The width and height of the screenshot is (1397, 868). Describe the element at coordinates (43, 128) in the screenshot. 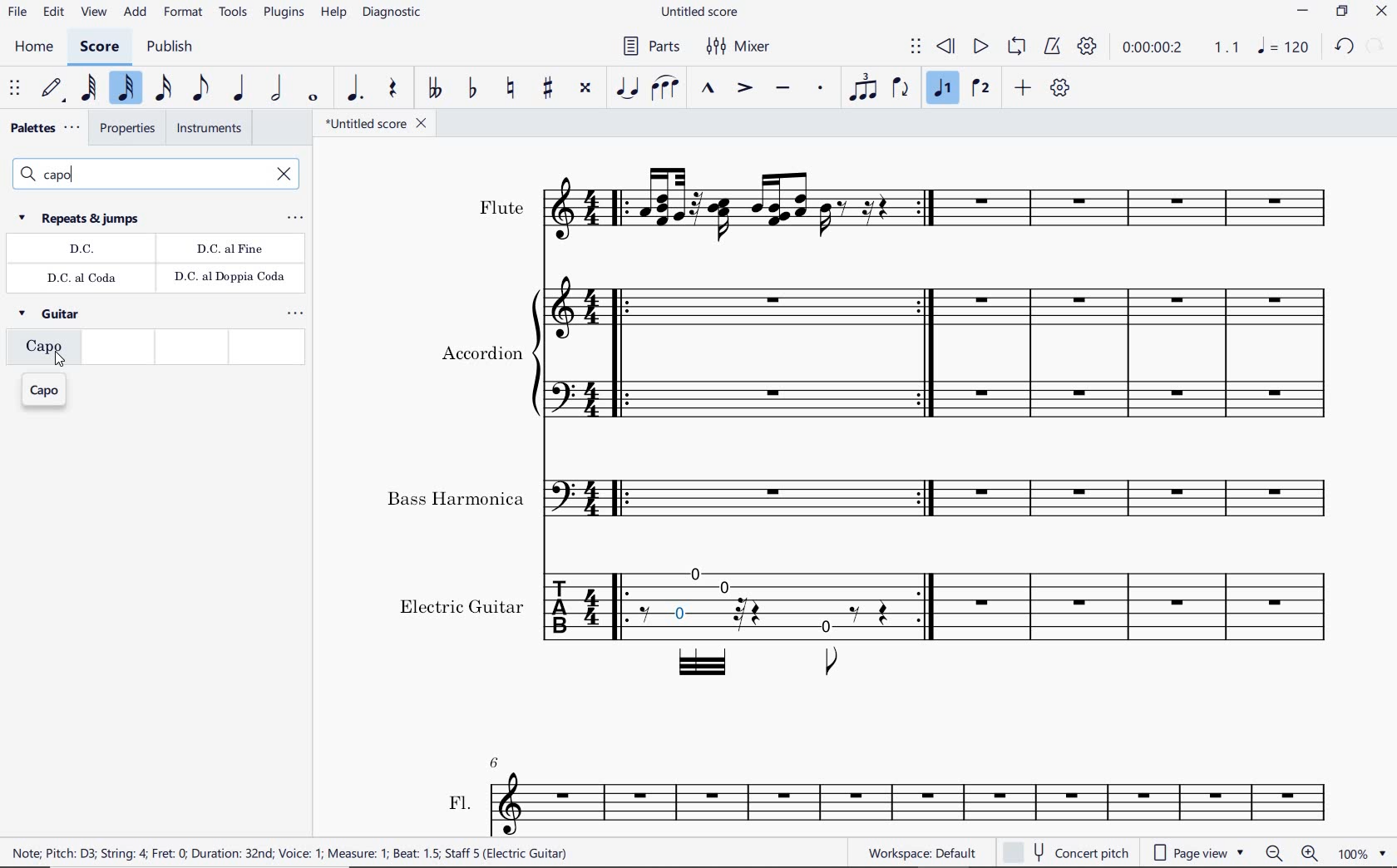

I see `palettes` at that location.